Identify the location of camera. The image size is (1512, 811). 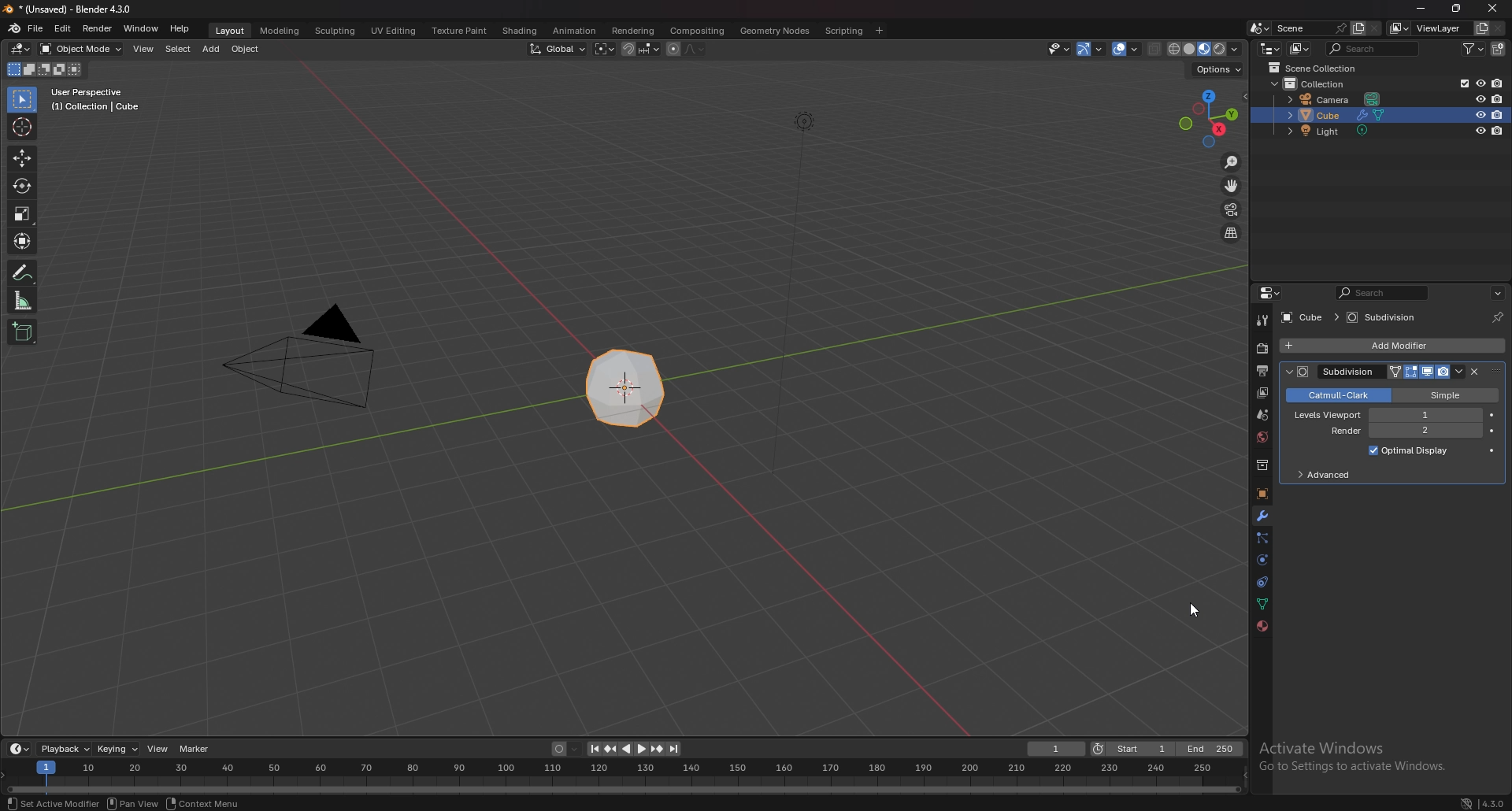
(1336, 99).